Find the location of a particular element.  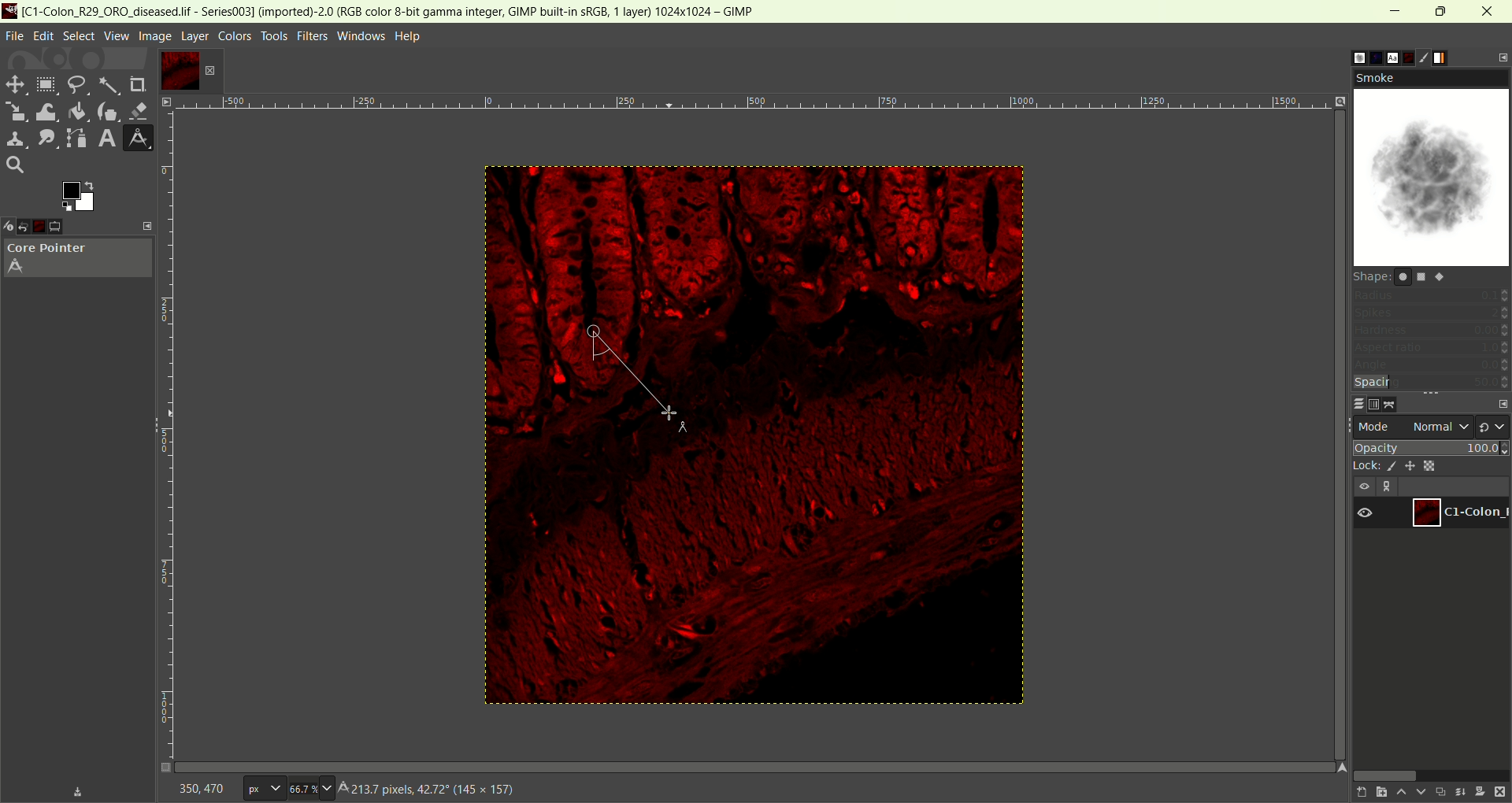

path tool is located at coordinates (73, 137).